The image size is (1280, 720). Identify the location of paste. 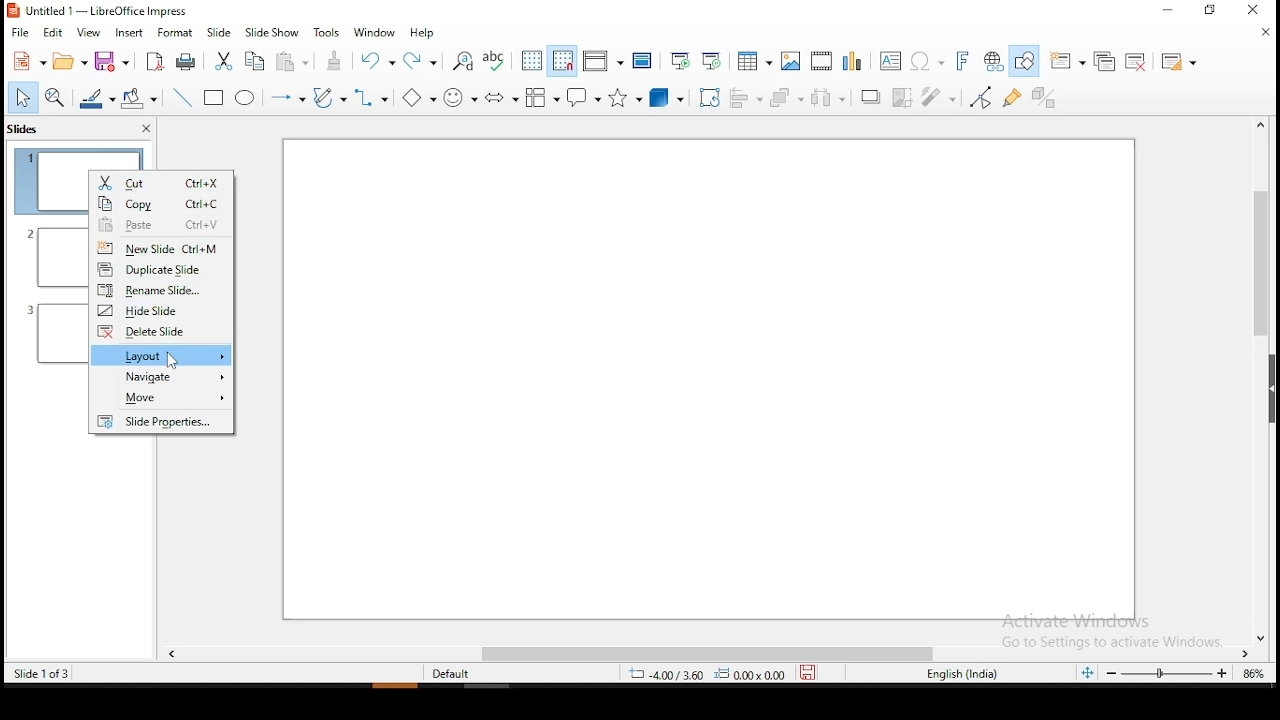
(160, 224).